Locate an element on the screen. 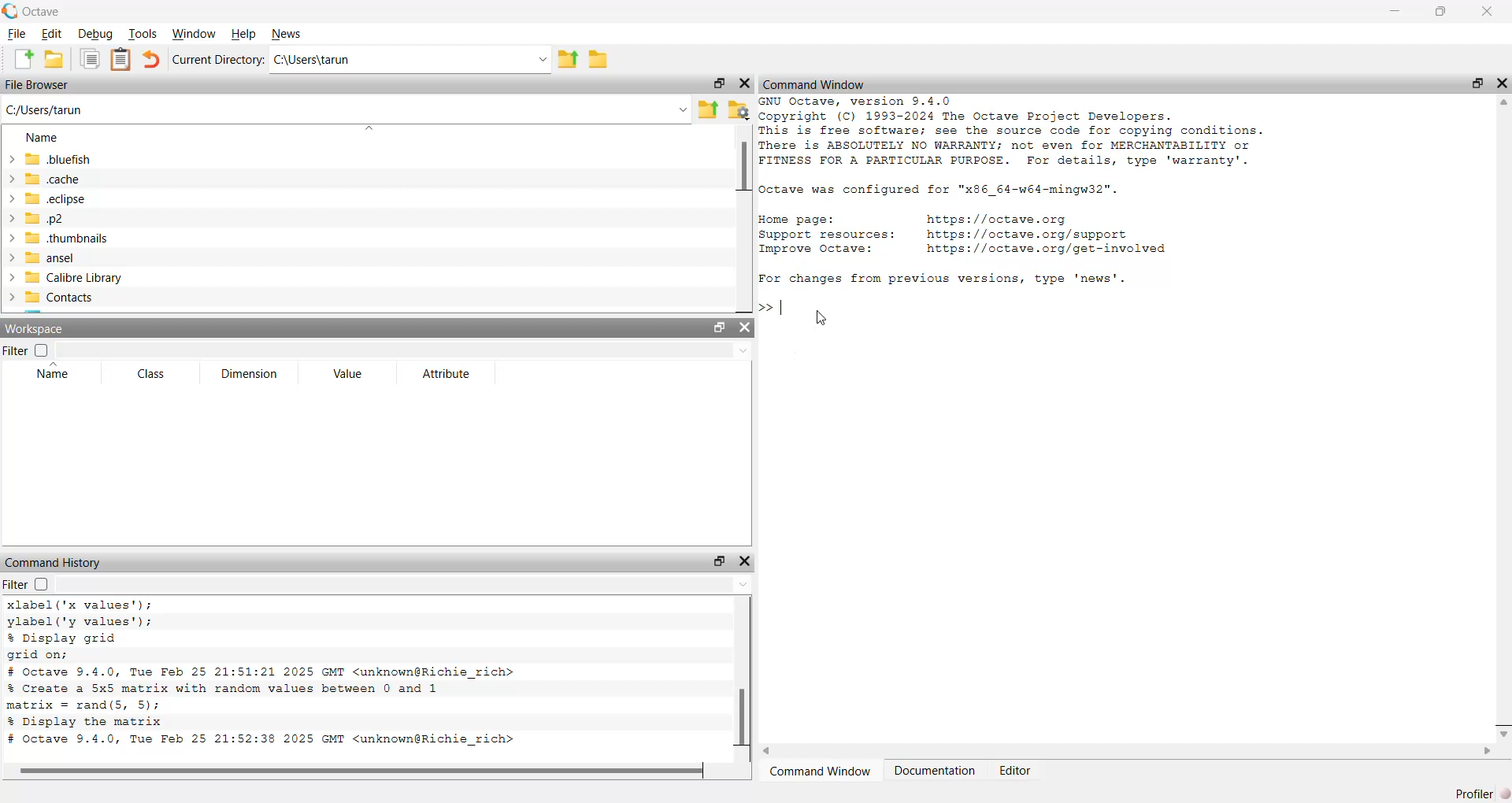 This screenshot has height=803, width=1512. undo is located at coordinates (151, 58).